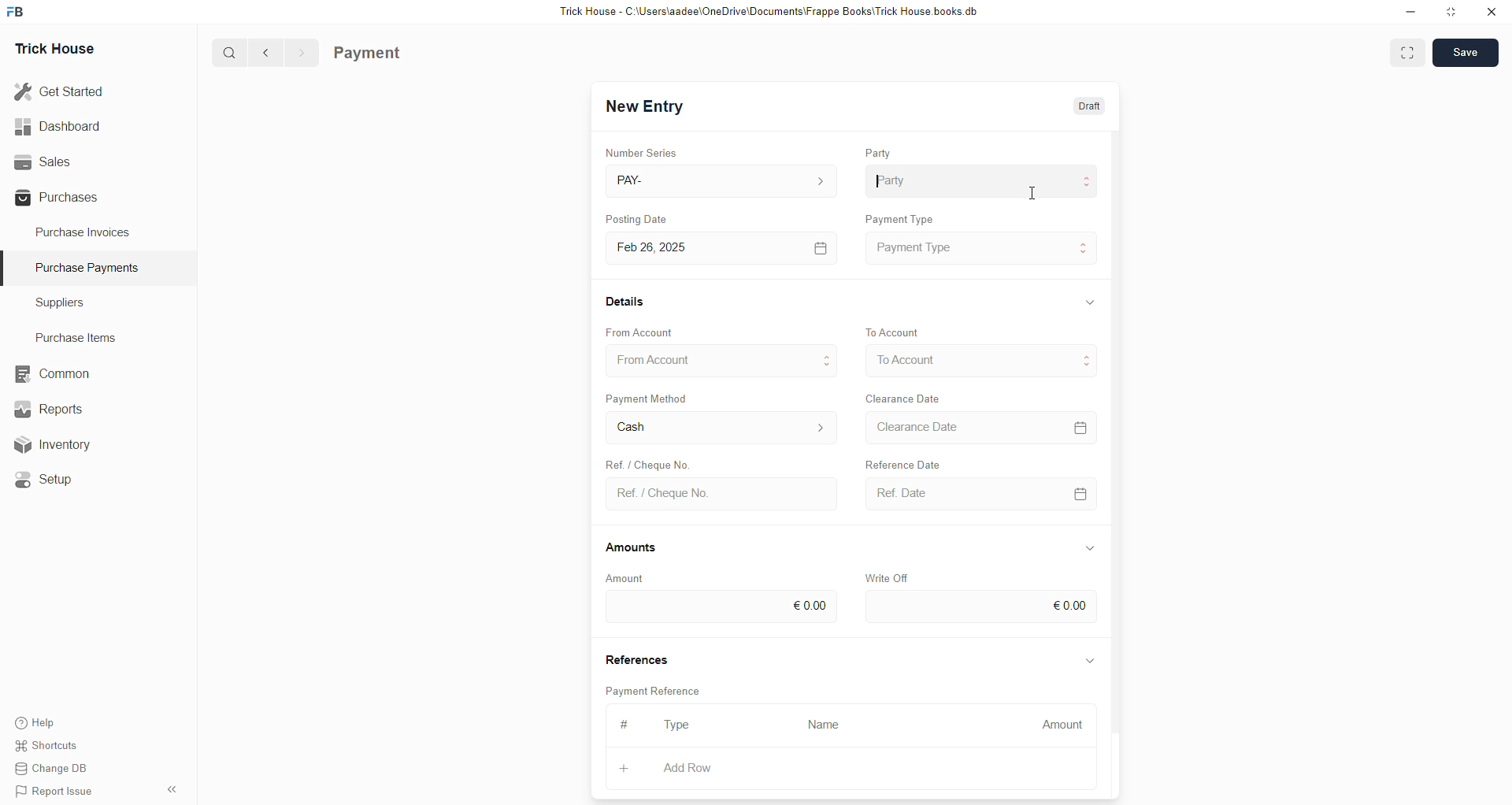 This screenshot has width=1512, height=805. I want to click on €0.00, so click(720, 608).